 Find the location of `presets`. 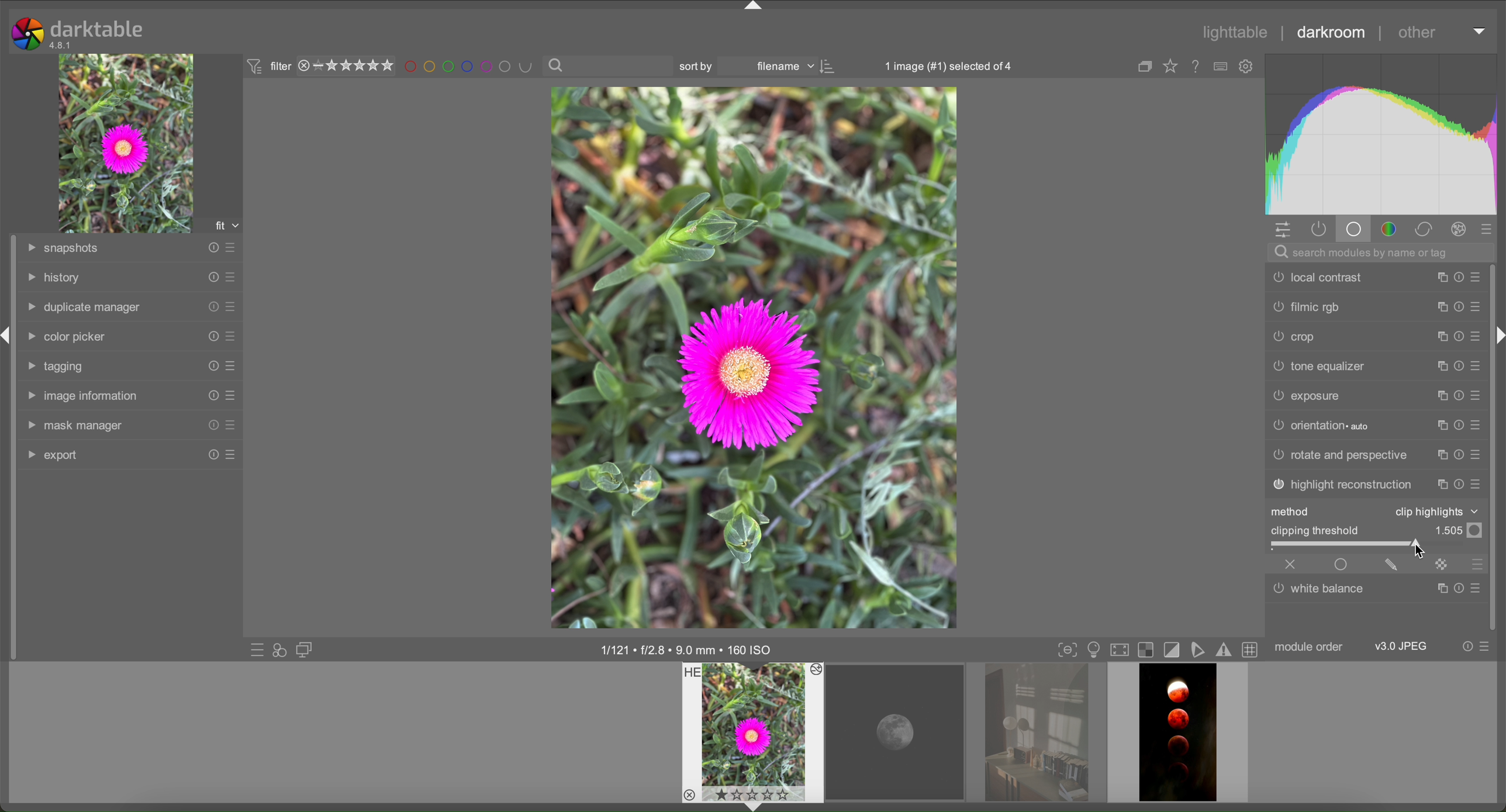

presets is located at coordinates (234, 278).